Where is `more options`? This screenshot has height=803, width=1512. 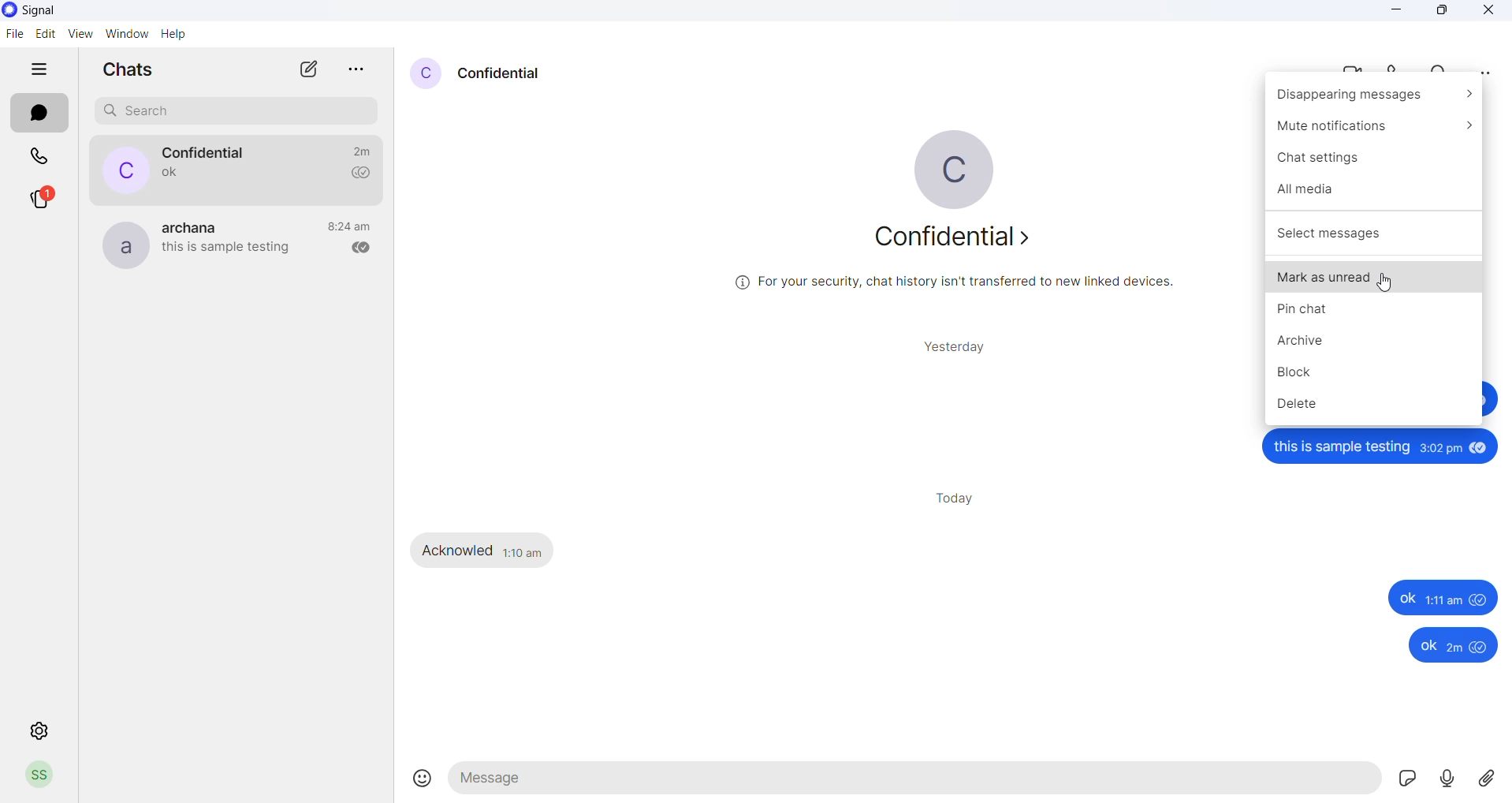 more options is located at coordinates (1488, 73).